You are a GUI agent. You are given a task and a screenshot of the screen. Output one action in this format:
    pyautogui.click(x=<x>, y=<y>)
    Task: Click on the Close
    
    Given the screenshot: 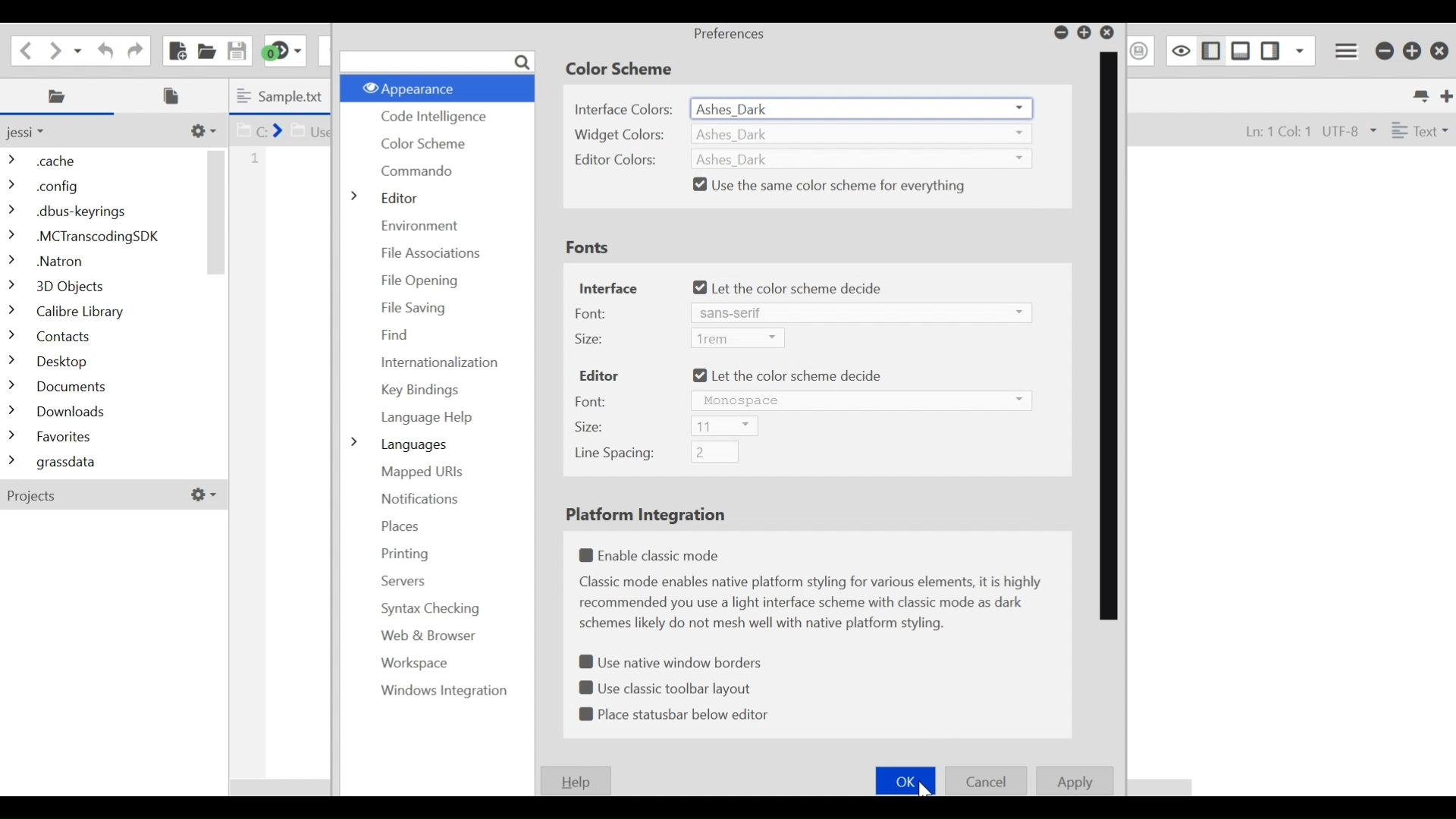 What is the action you would take?
    pyautogui.click(x=1110, y=33)
    